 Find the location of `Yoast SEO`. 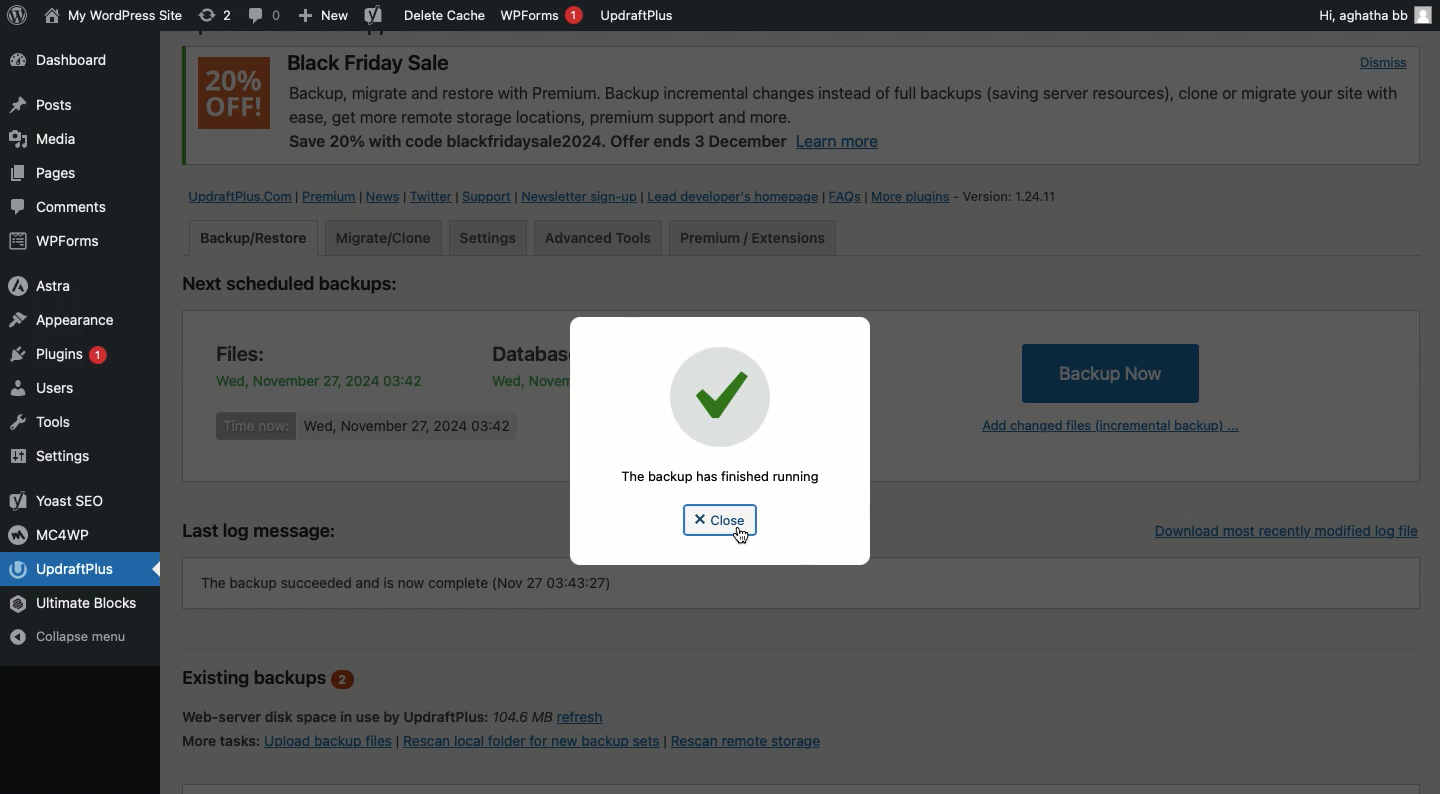

Yoast SEO is located at coordinates (60, 500).